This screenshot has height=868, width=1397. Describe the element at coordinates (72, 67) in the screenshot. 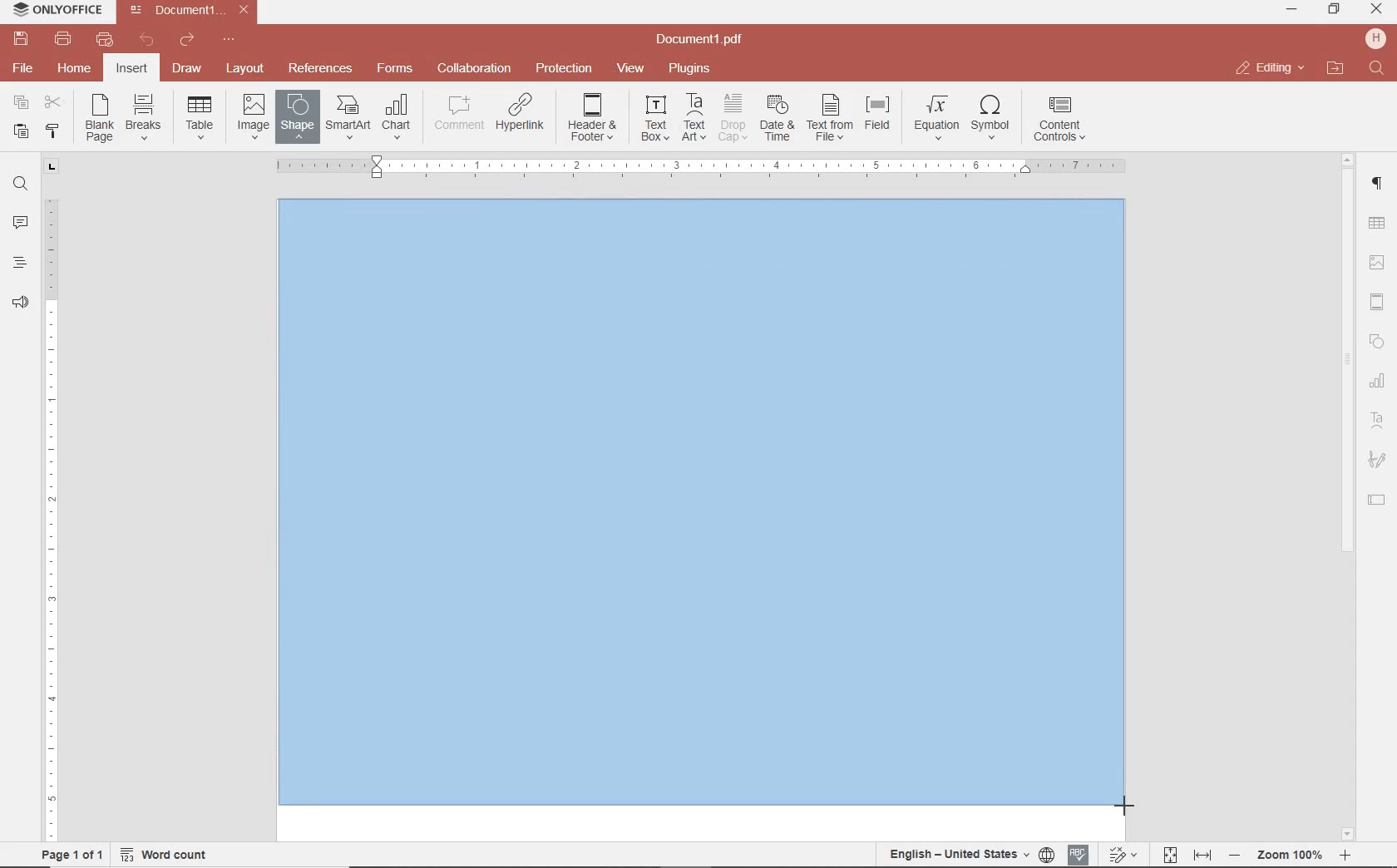

I see `home` at that location.